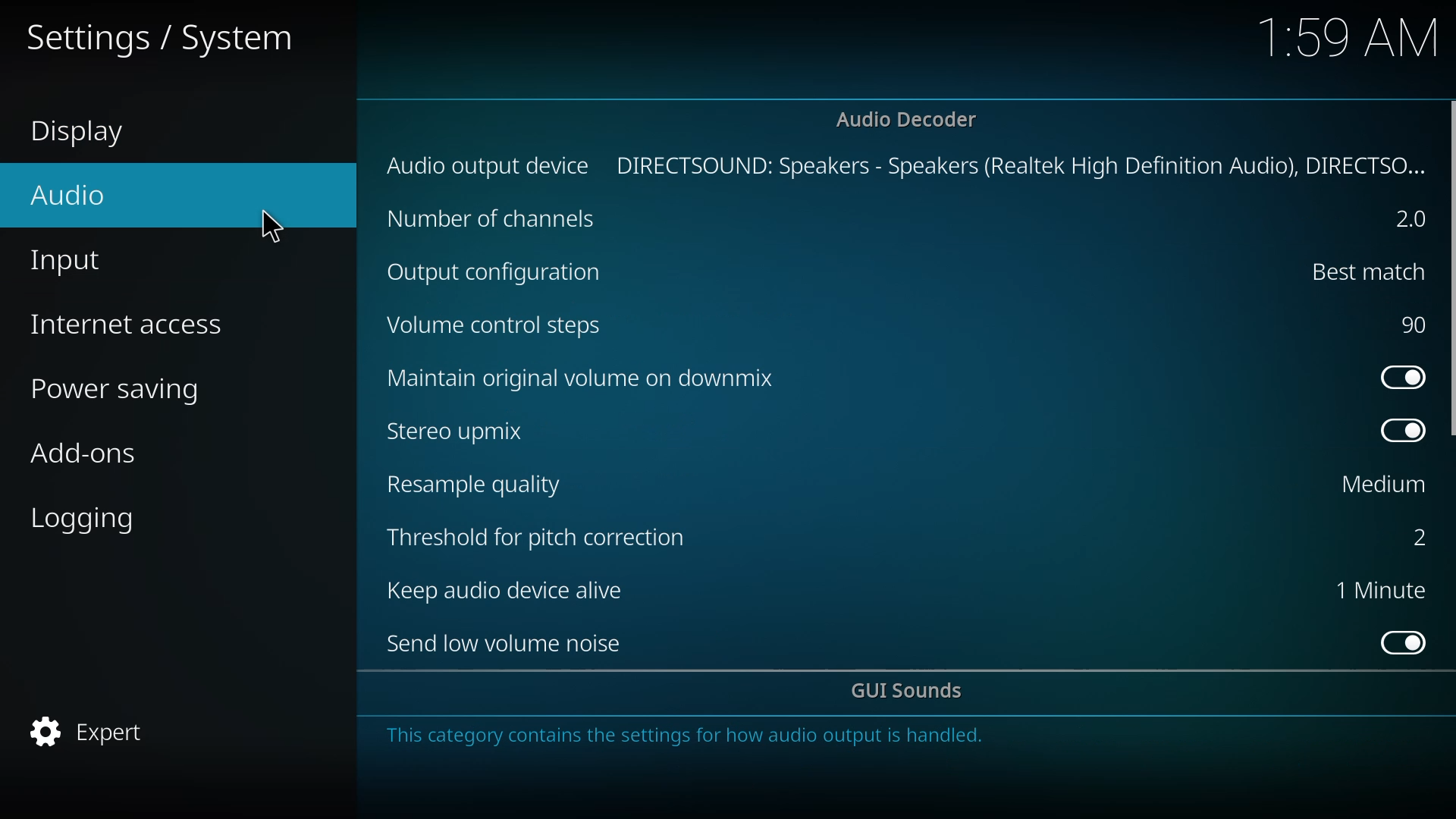 The height and width of the screenshot is (819, 1456). What do you see at coordinates (465, 430) in the screenshot?
I see `stereo upmix` at bounding box center [465, 430].